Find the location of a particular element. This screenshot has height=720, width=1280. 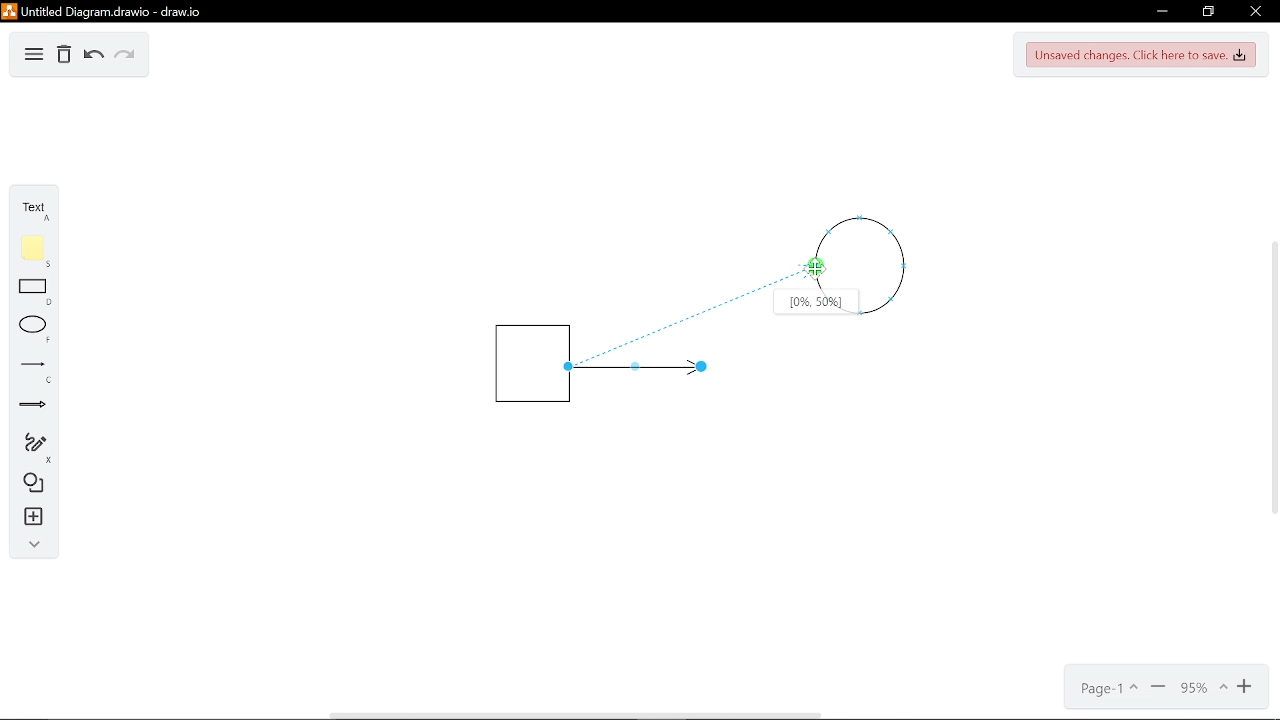

Location of the arrow connected on the shape[0%,50%] is located at coordinates (818, 301).